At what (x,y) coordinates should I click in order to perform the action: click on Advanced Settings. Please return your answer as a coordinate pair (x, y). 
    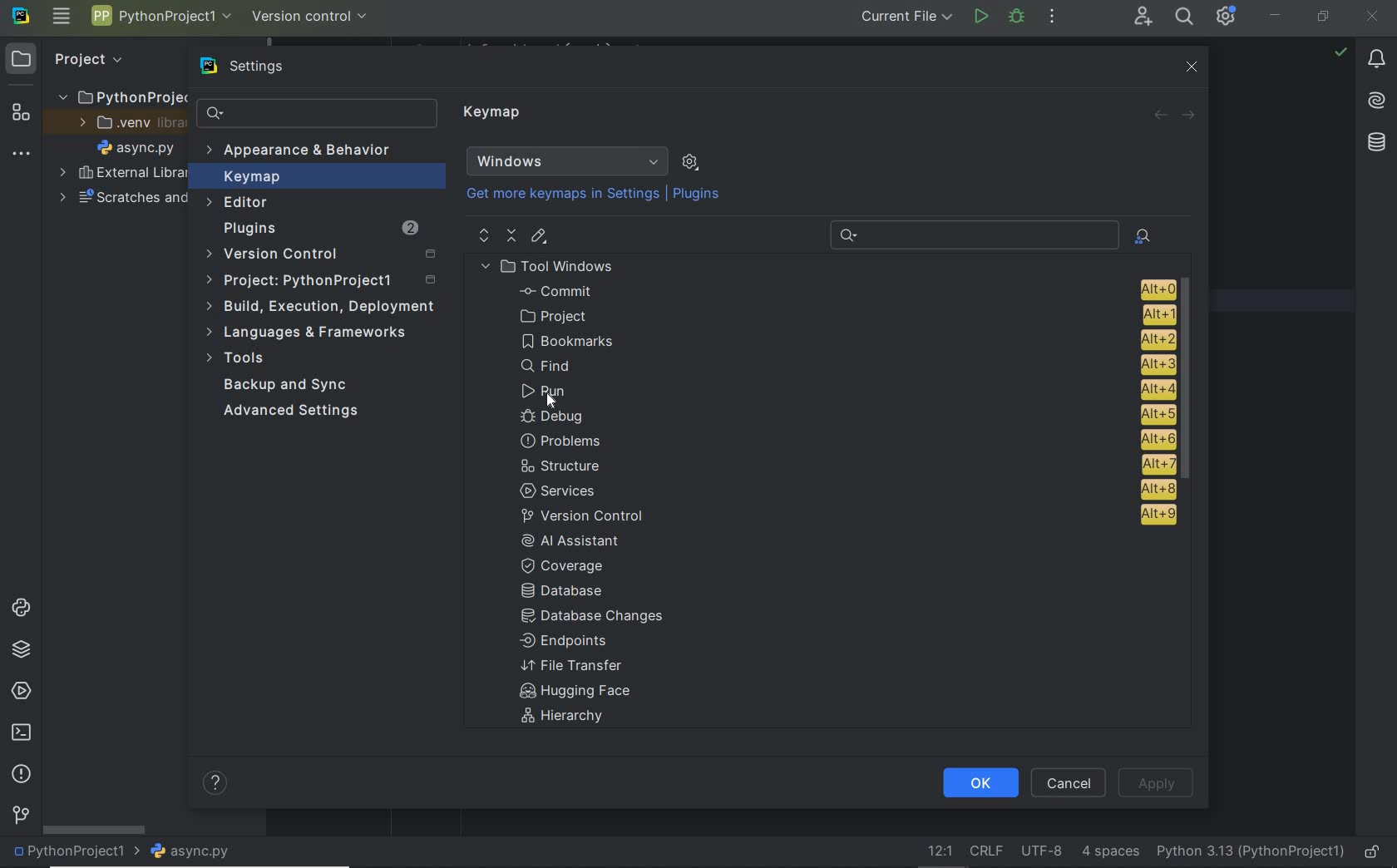
    Looking at the image, I should click on (294, 412).